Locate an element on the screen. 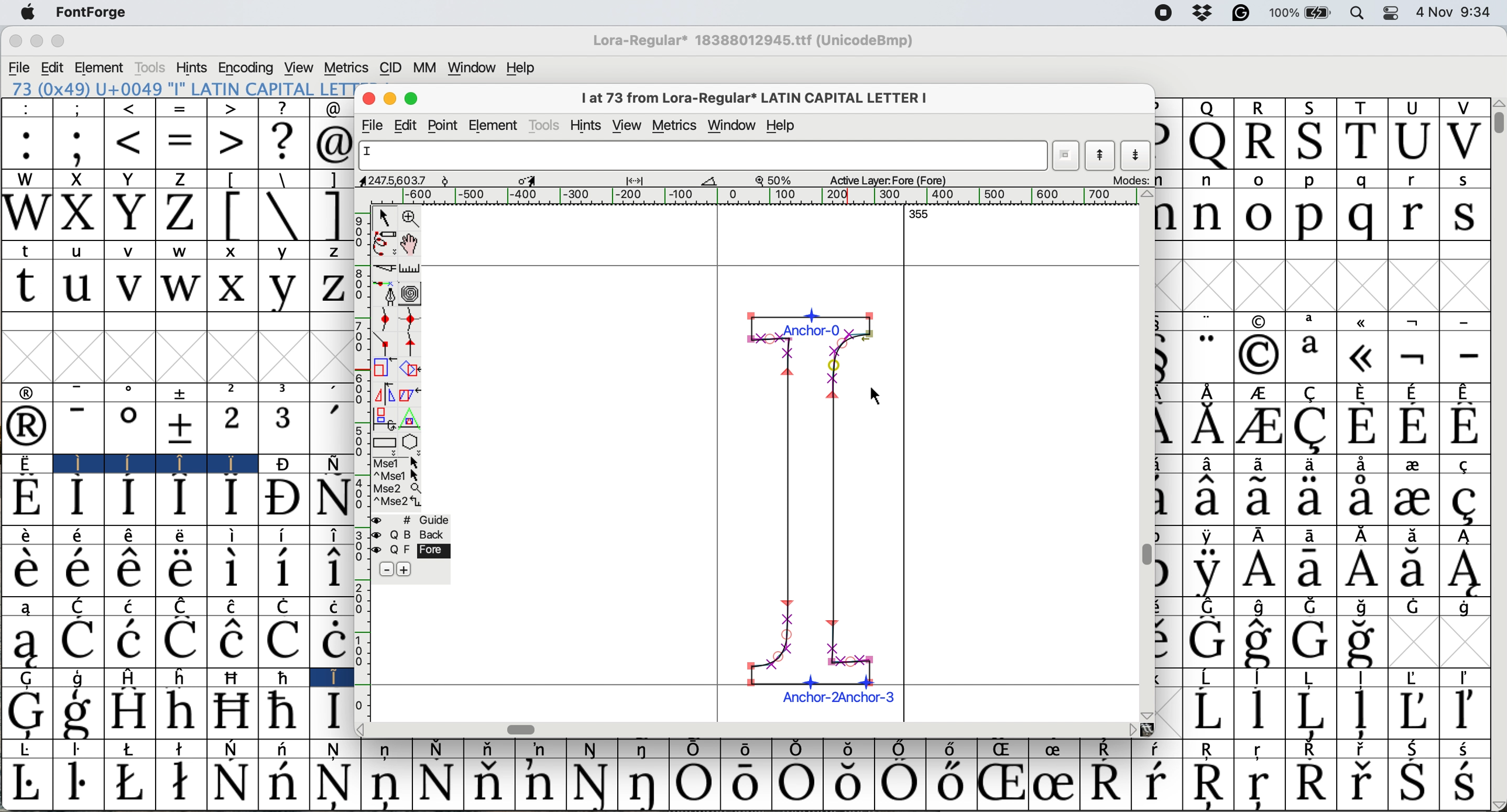 Image resolution: width=1507 pixels, height=812 pixels. u is located at coordinates (78, 253).